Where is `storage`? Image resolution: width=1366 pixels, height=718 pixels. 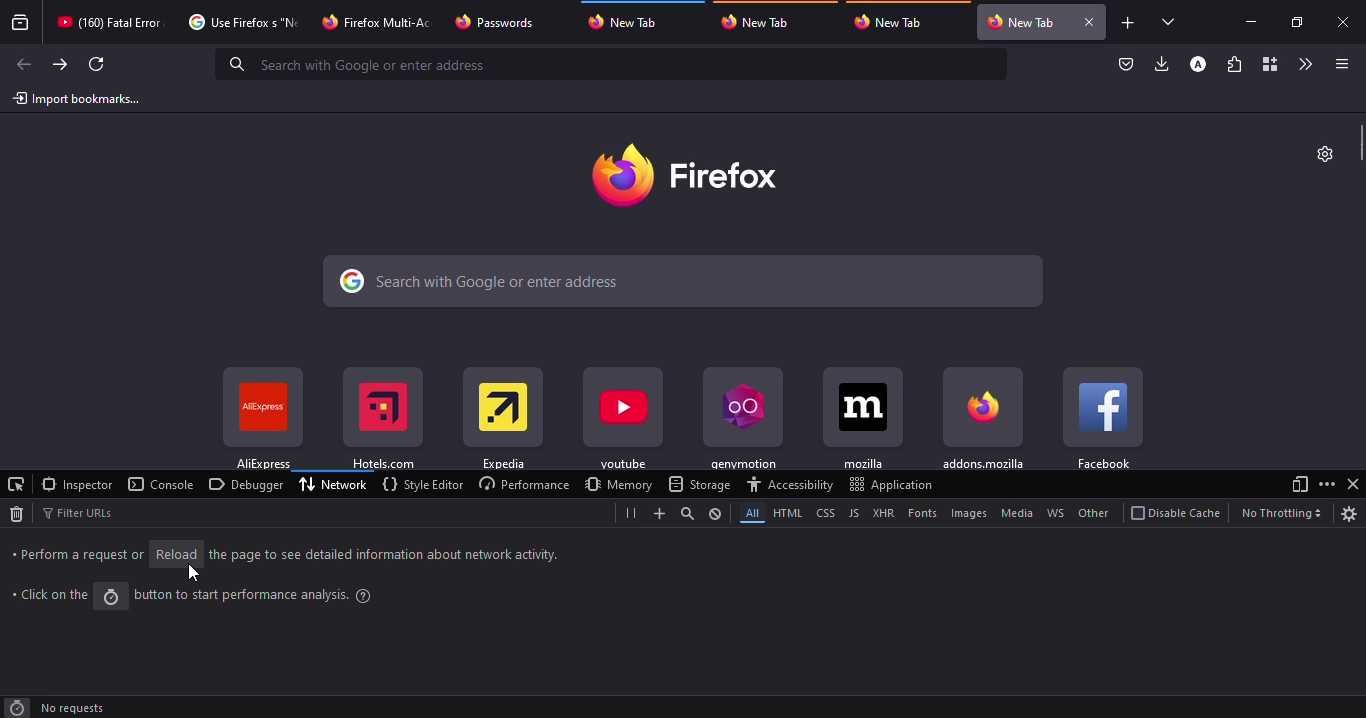
storage is located at coordinates (699, 484).